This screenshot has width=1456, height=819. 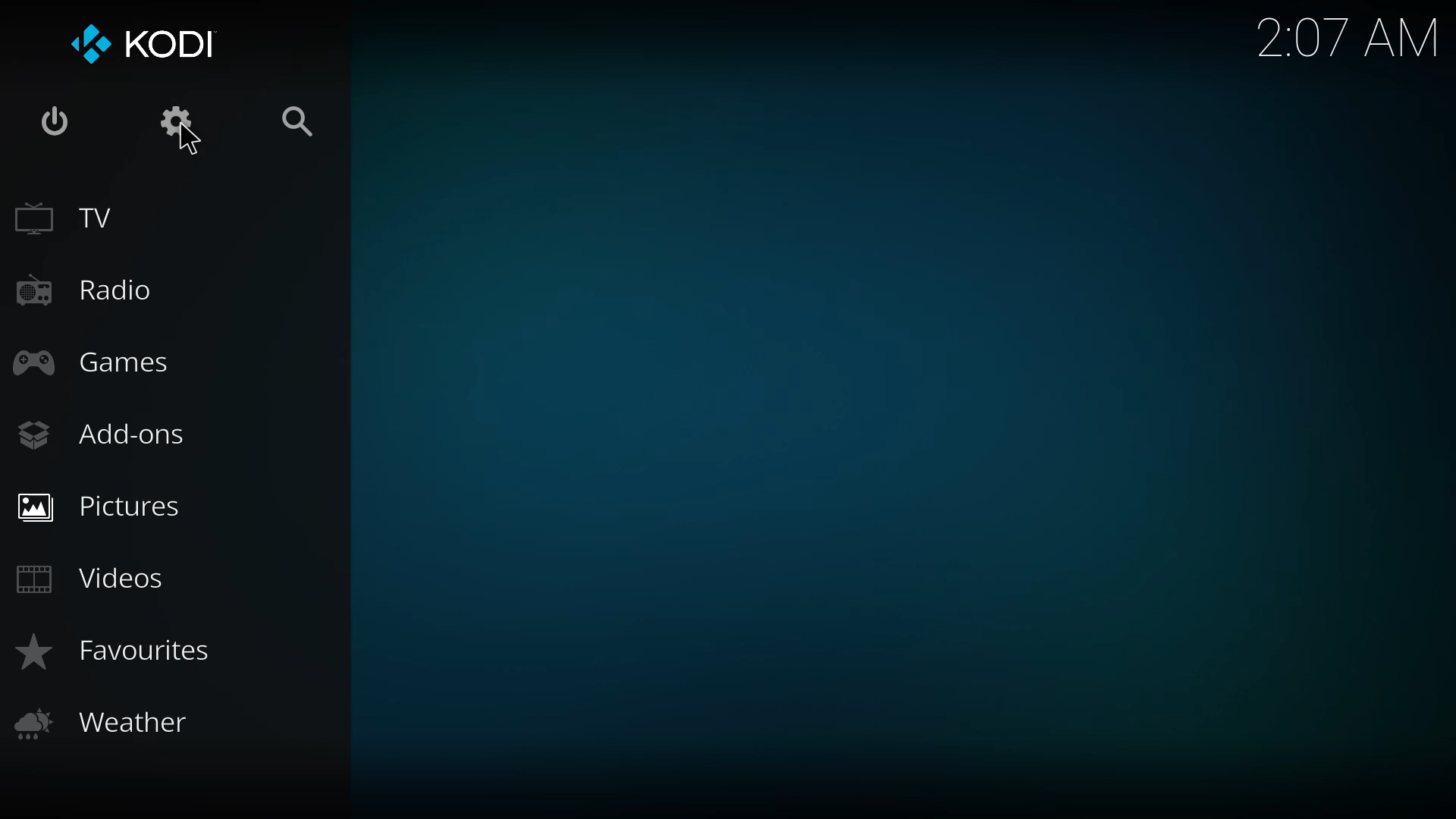 What do you see at coordinates (67, 217) in the screenshot?
I see `tv` at bounding box center [67, 217].